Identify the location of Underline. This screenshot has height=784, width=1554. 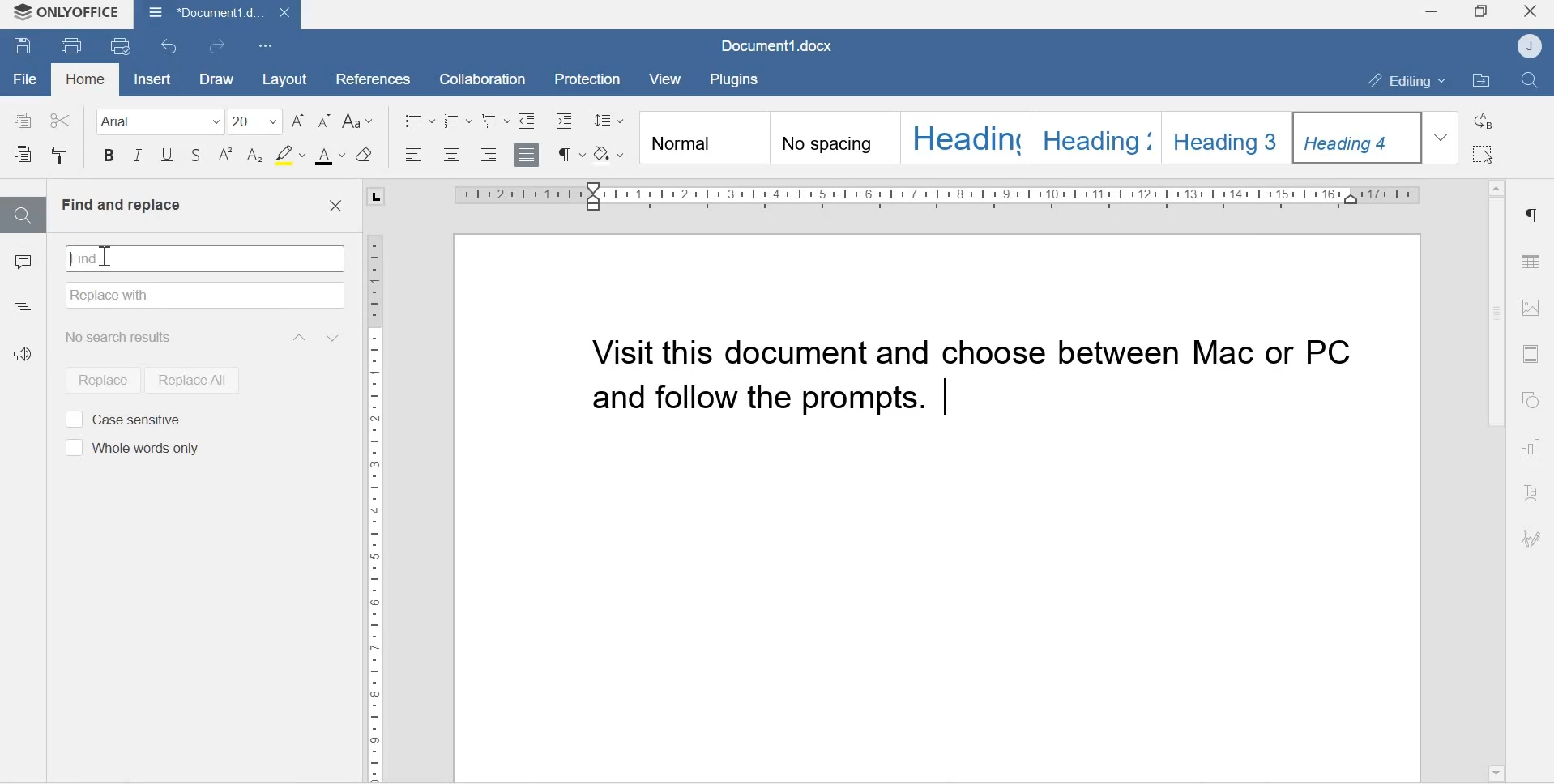
(166, 159).